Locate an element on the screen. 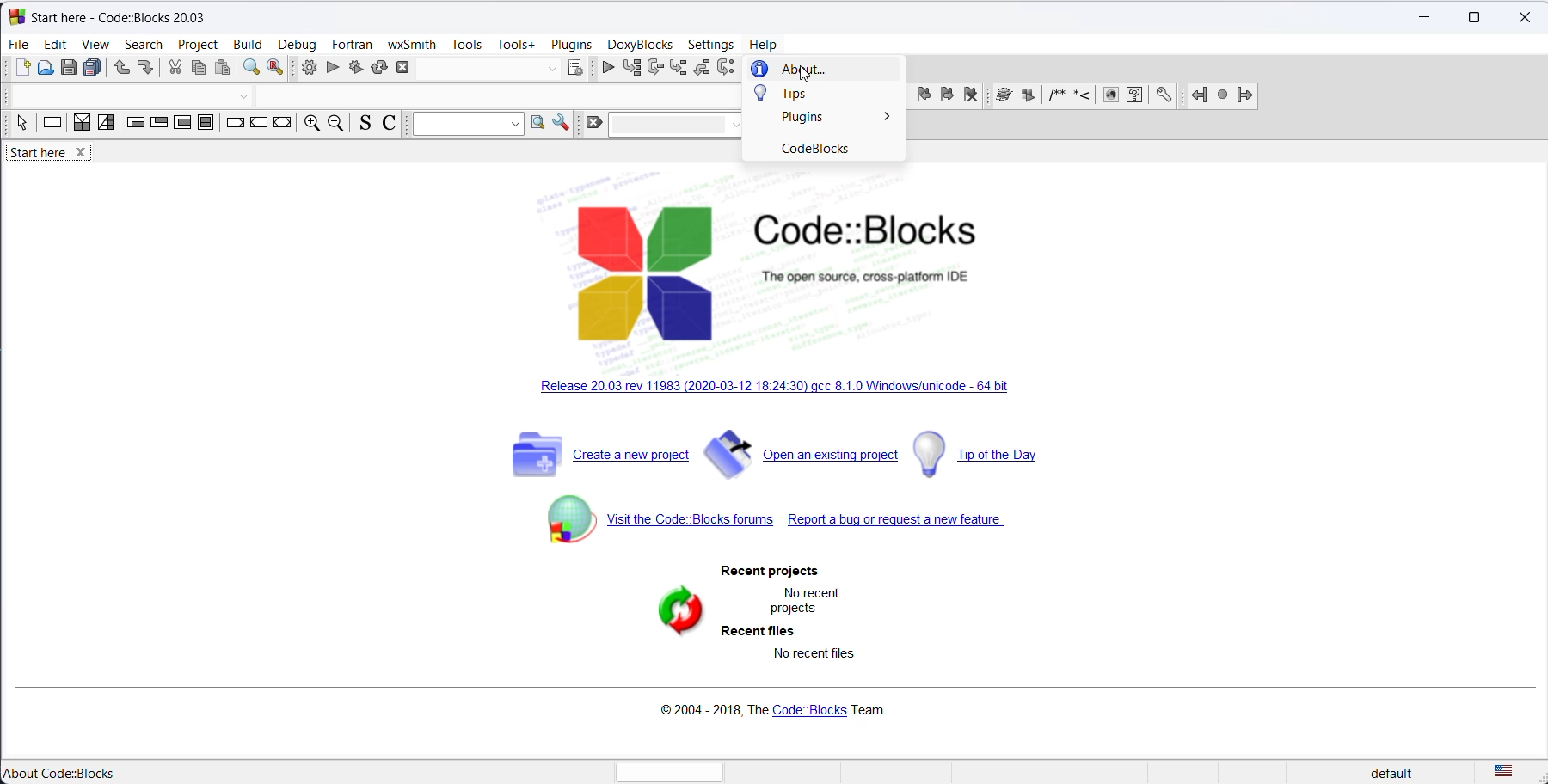  create new project is located at coordinates (579, 454).